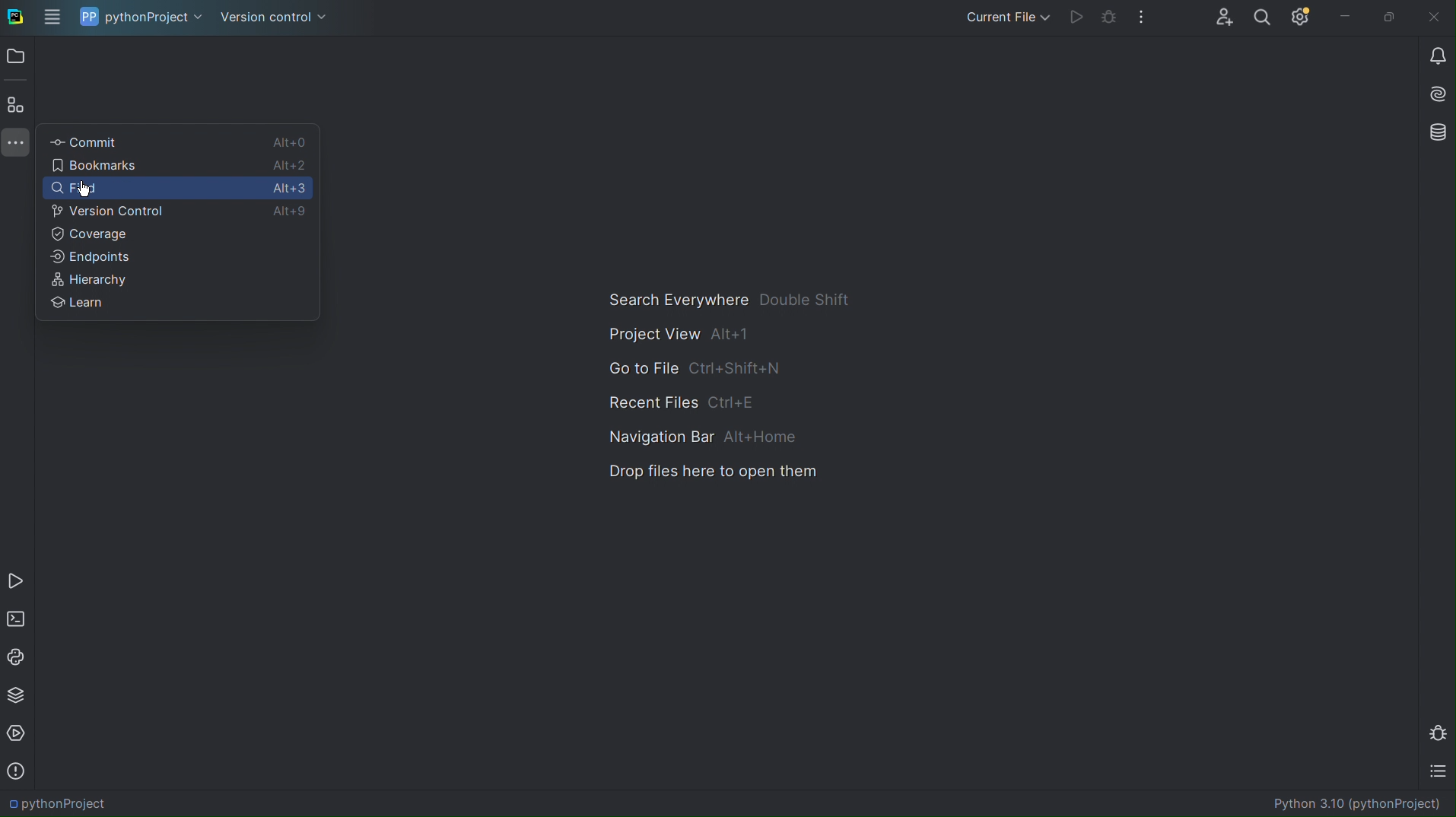 The width and height of the screenshot is (1456, 817). Describe the element at coordinates (14, 15) in the screenshot. I see `PyCharm logo` at that location.